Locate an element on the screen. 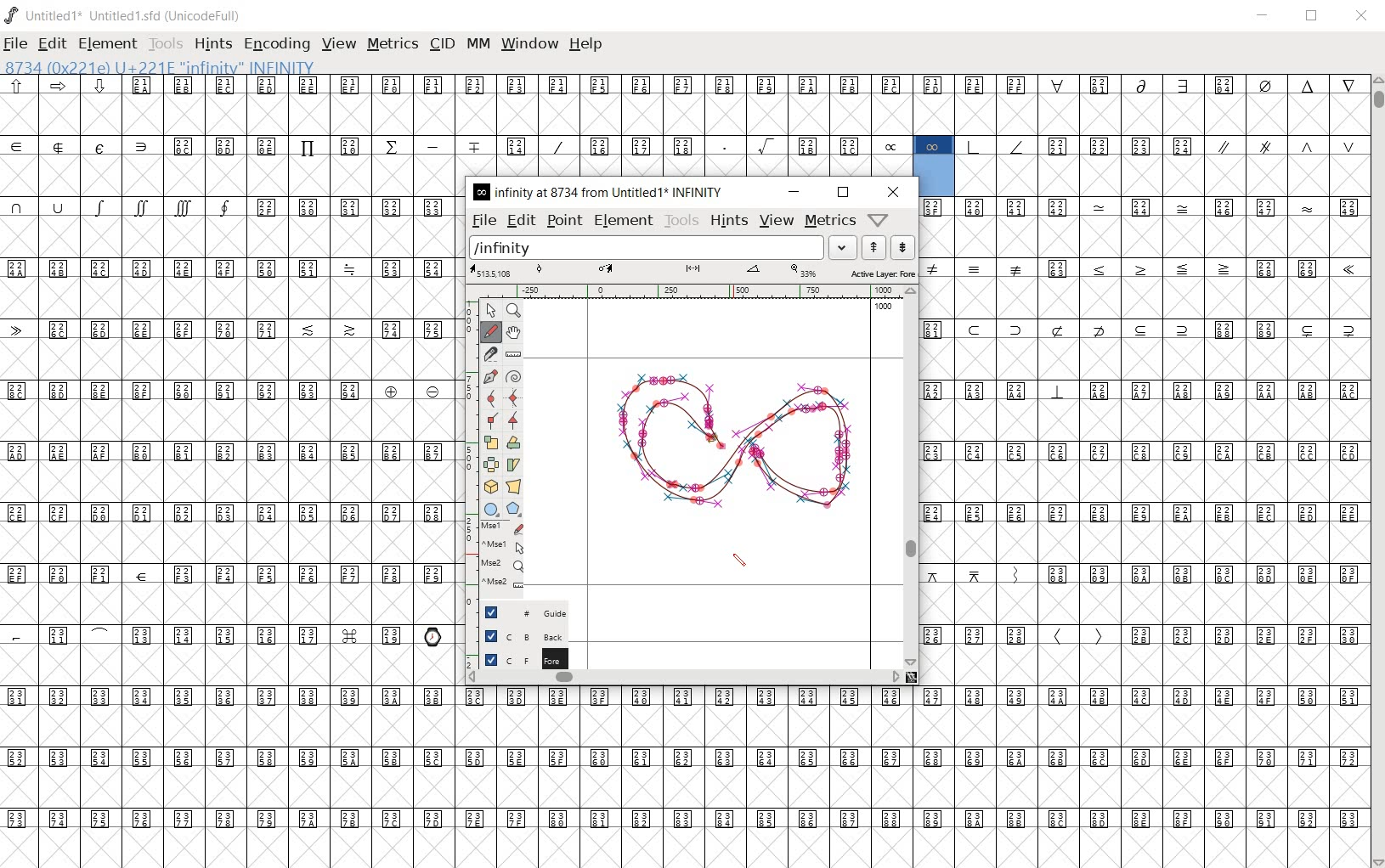 The height and width of the screenshot is (868, 1385). perform a perspective transformation on the selection is located at coordinates (514, 486).